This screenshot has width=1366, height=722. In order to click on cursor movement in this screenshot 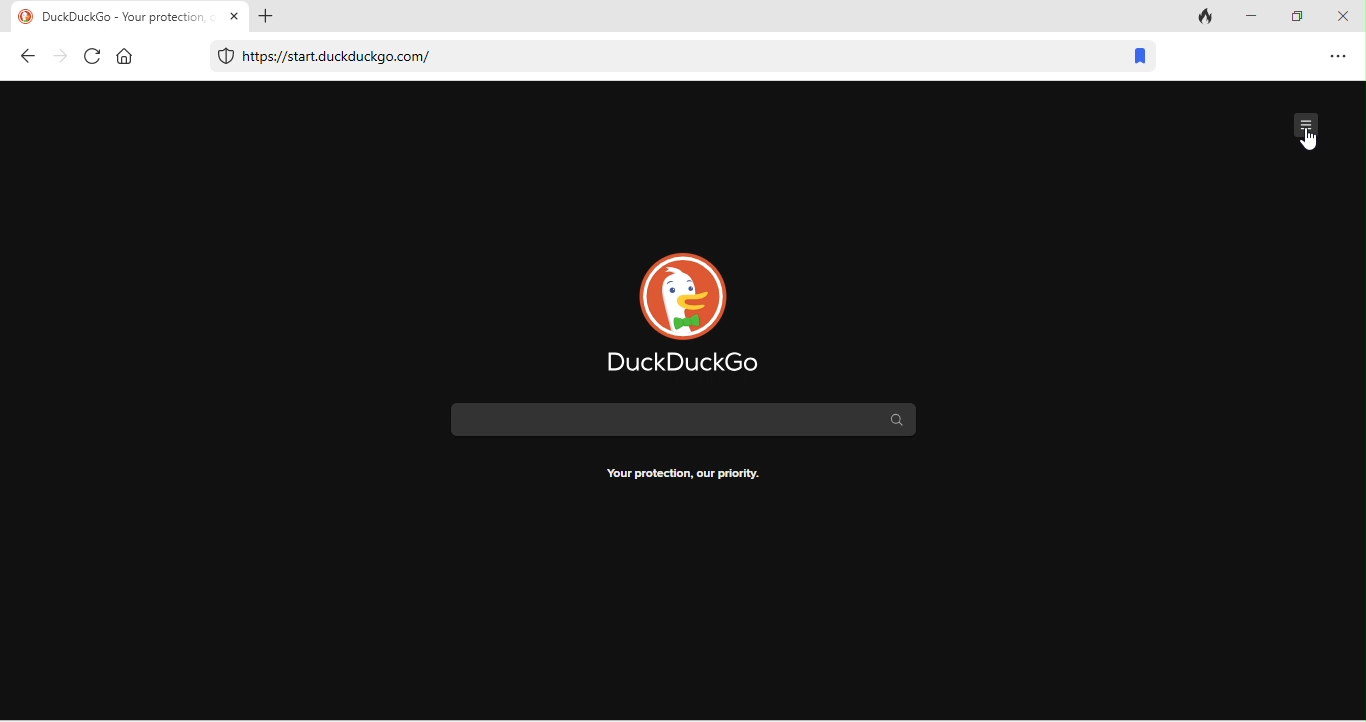, I will do `click(1308, 141)`.